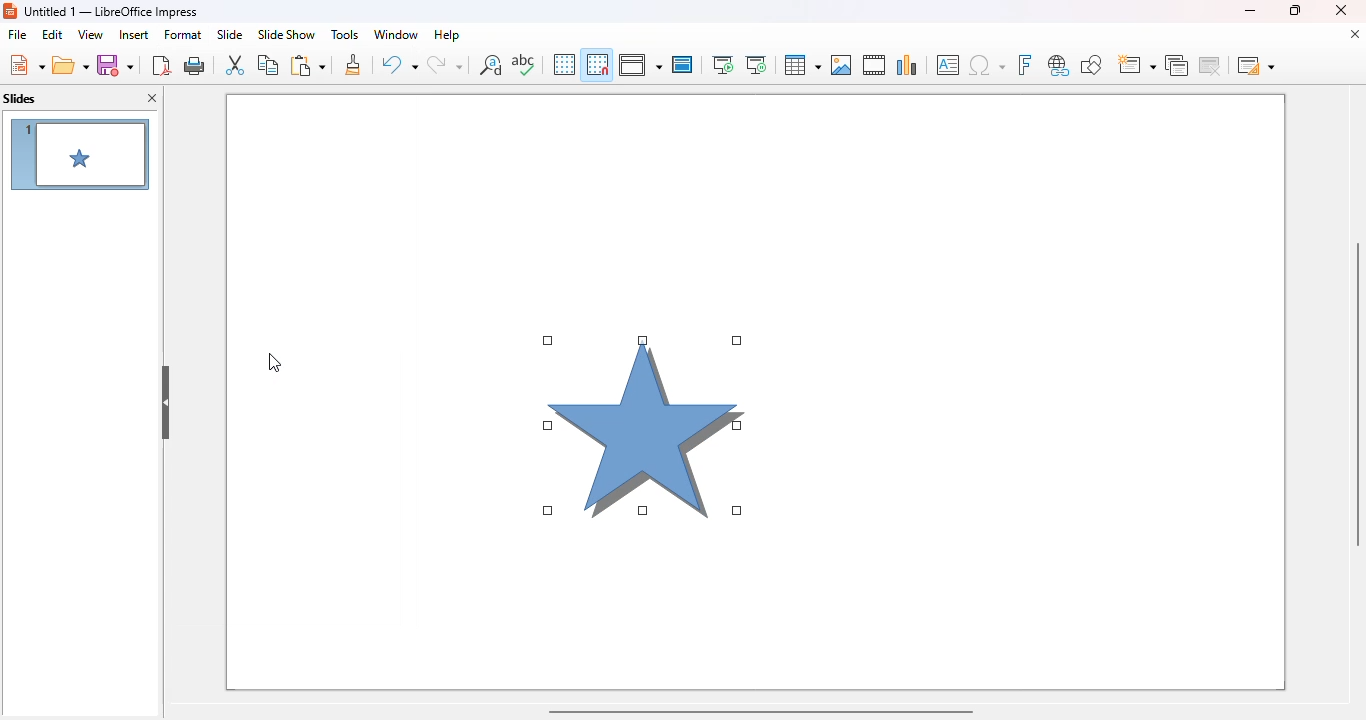 The height and width of the screenshot is (720, 1366). What do you see at coordinates (1135, 65) in the screenshot?
I see `new slide` at bounding box center [1135, 65].